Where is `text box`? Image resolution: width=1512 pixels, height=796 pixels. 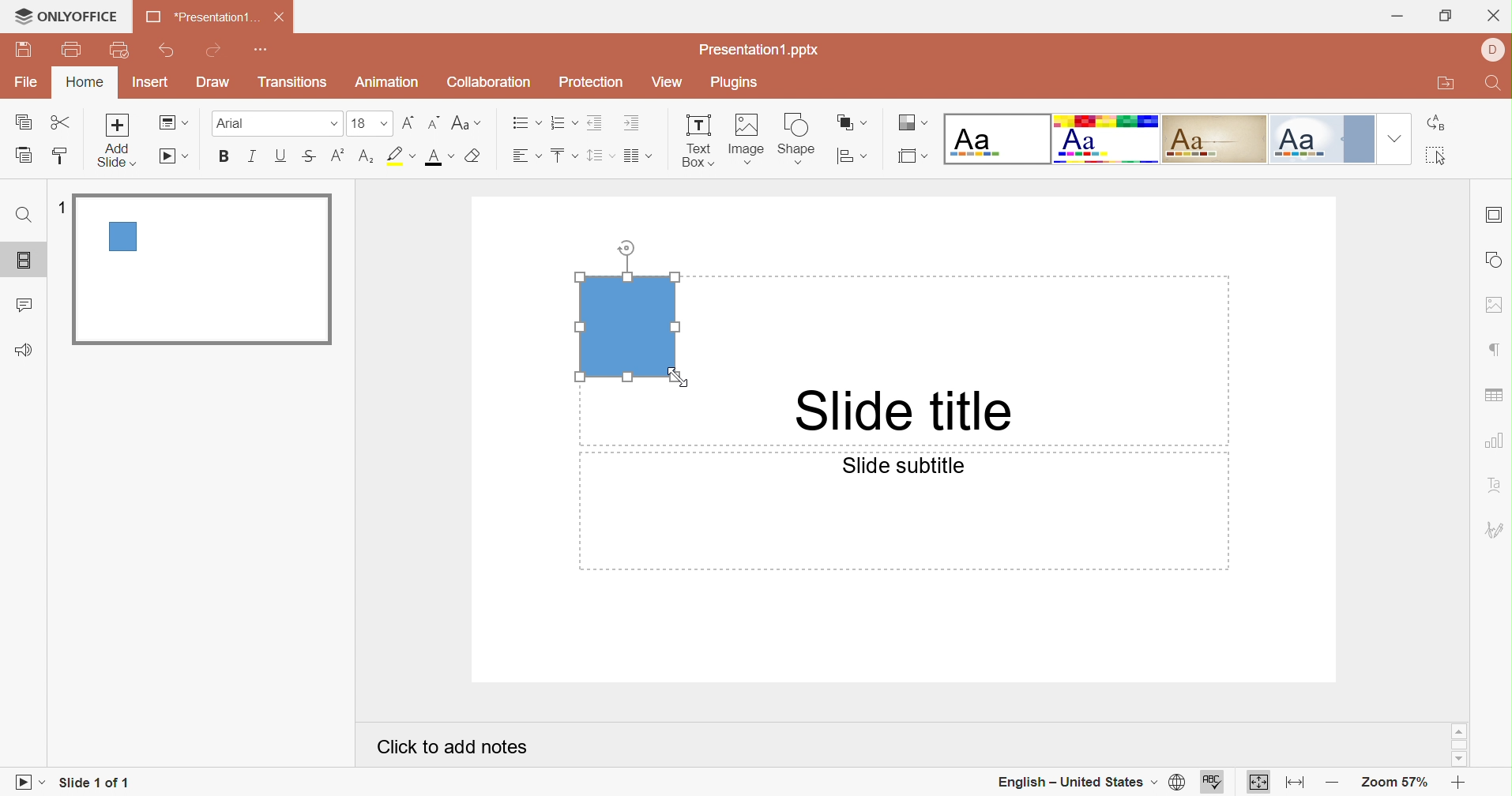
text box is located at coordinates (627, 326).